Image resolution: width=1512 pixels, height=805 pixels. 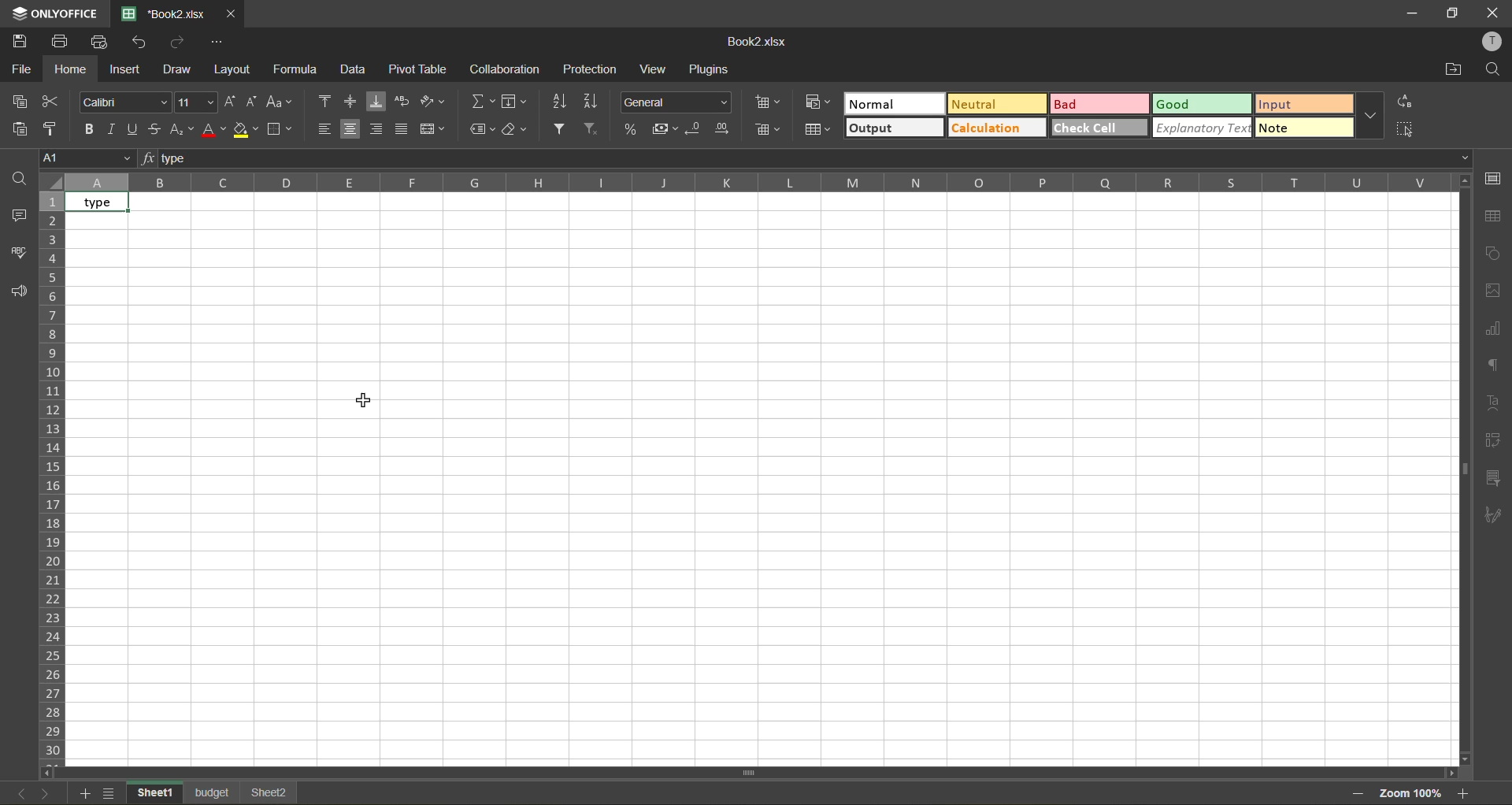 I want to click on plugins, so click(x=711, y=70).